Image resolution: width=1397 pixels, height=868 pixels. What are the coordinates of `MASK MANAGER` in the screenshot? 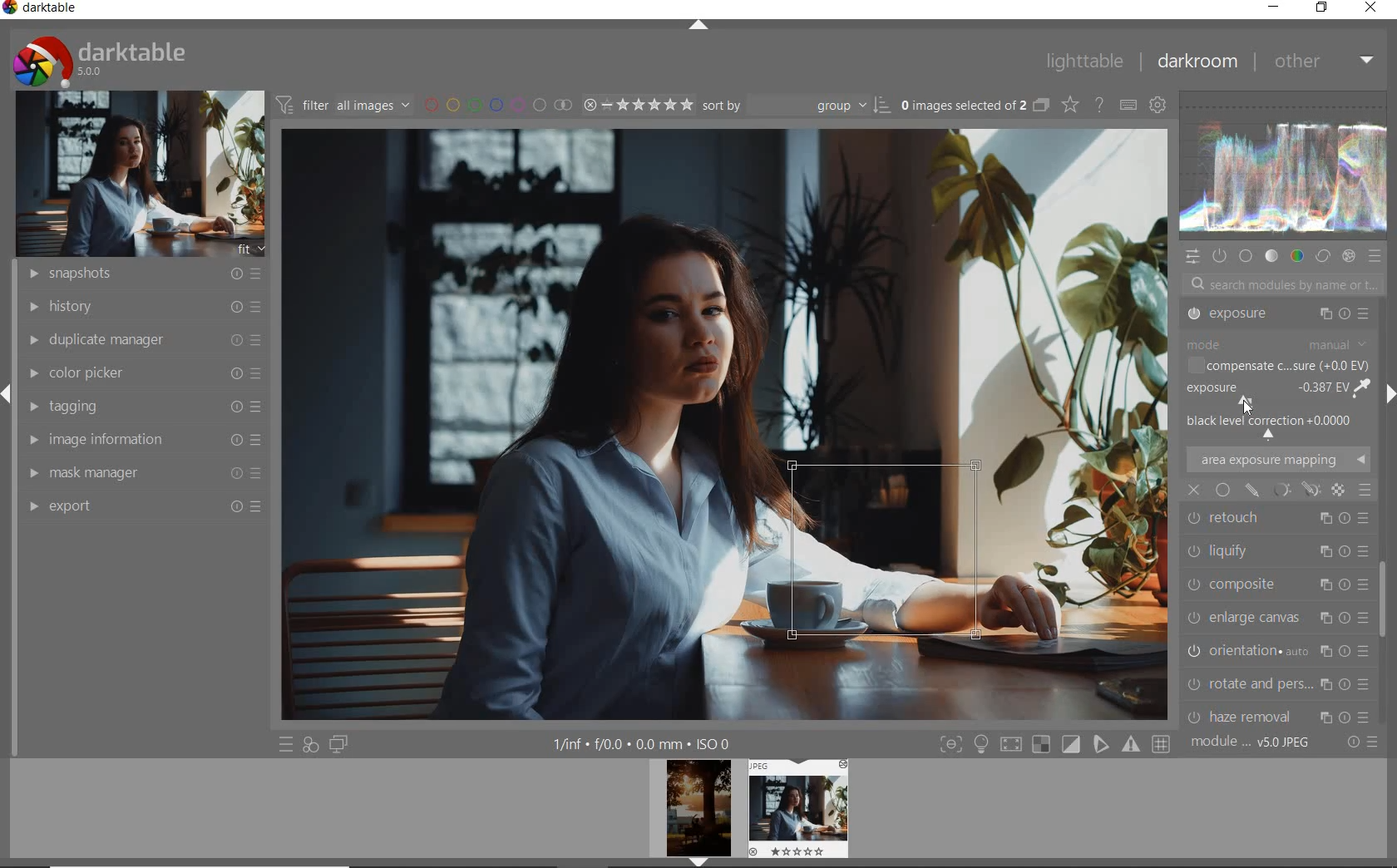 It's located at (141, 472).